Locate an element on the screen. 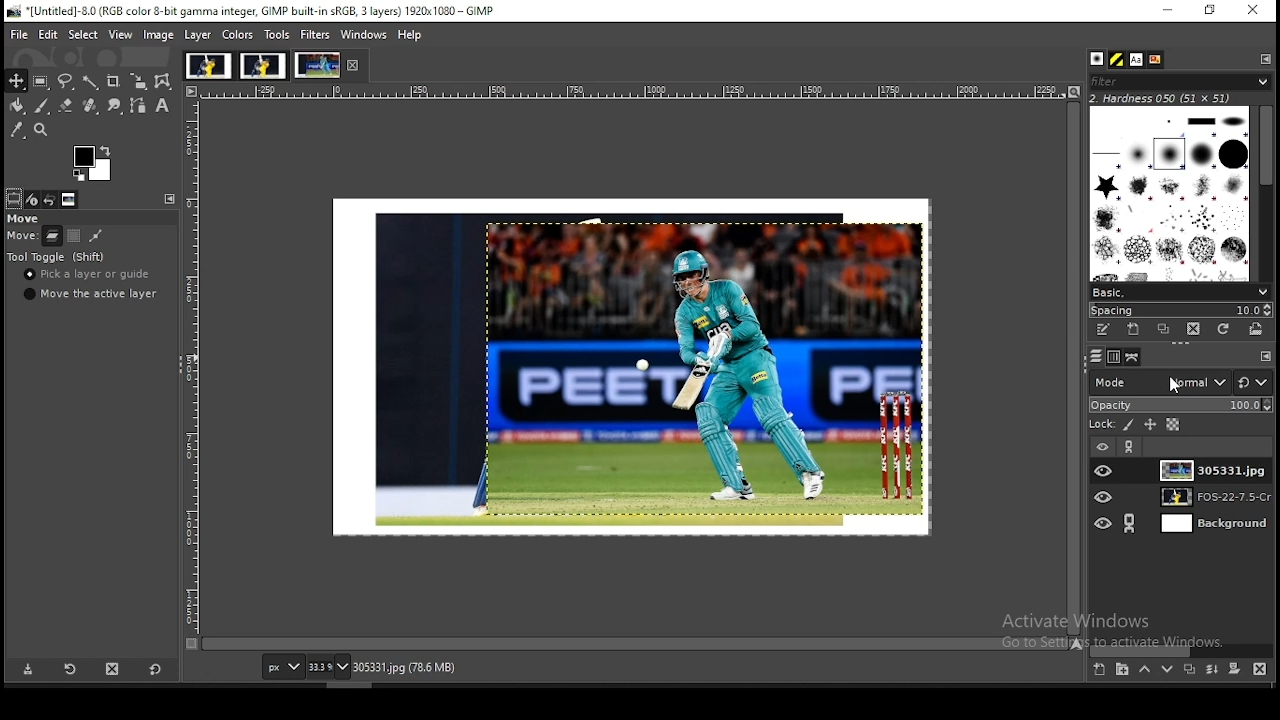 The height and width of the screenshot is (720, 1280). scroll bar is located at coordinates (635, 643).